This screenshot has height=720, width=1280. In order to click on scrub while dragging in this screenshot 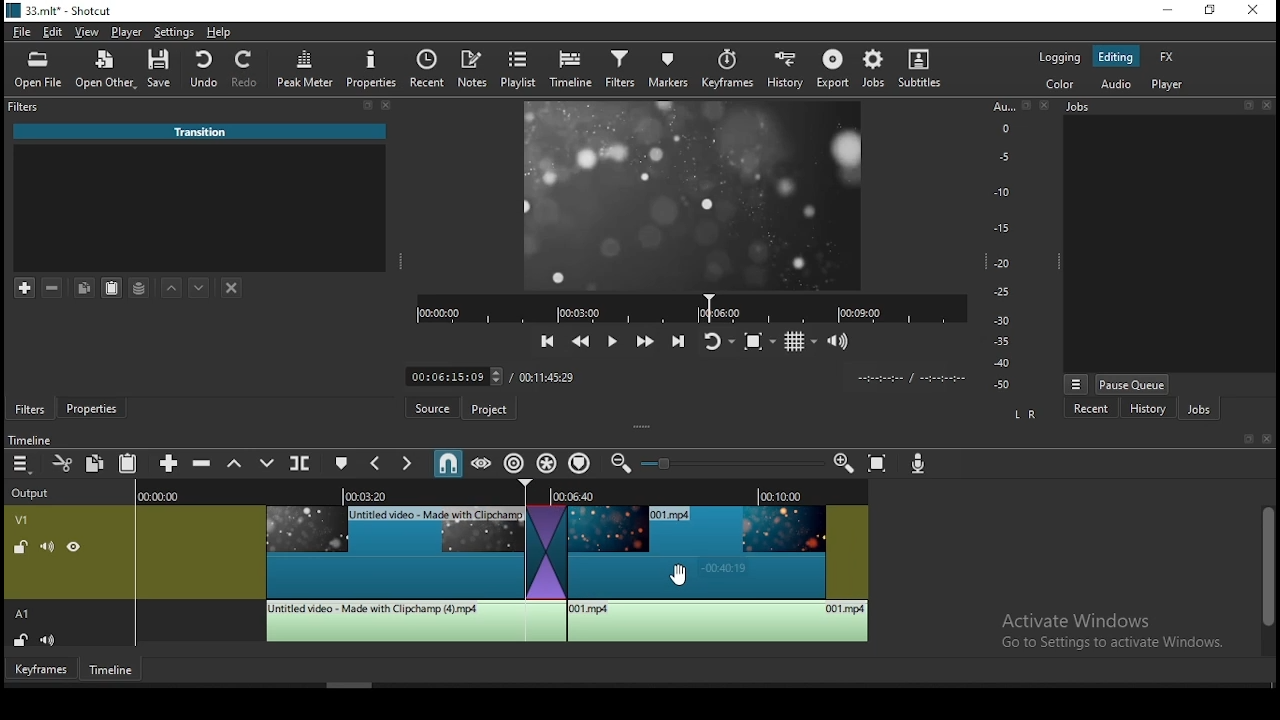, I will do `click(480, 463)`.